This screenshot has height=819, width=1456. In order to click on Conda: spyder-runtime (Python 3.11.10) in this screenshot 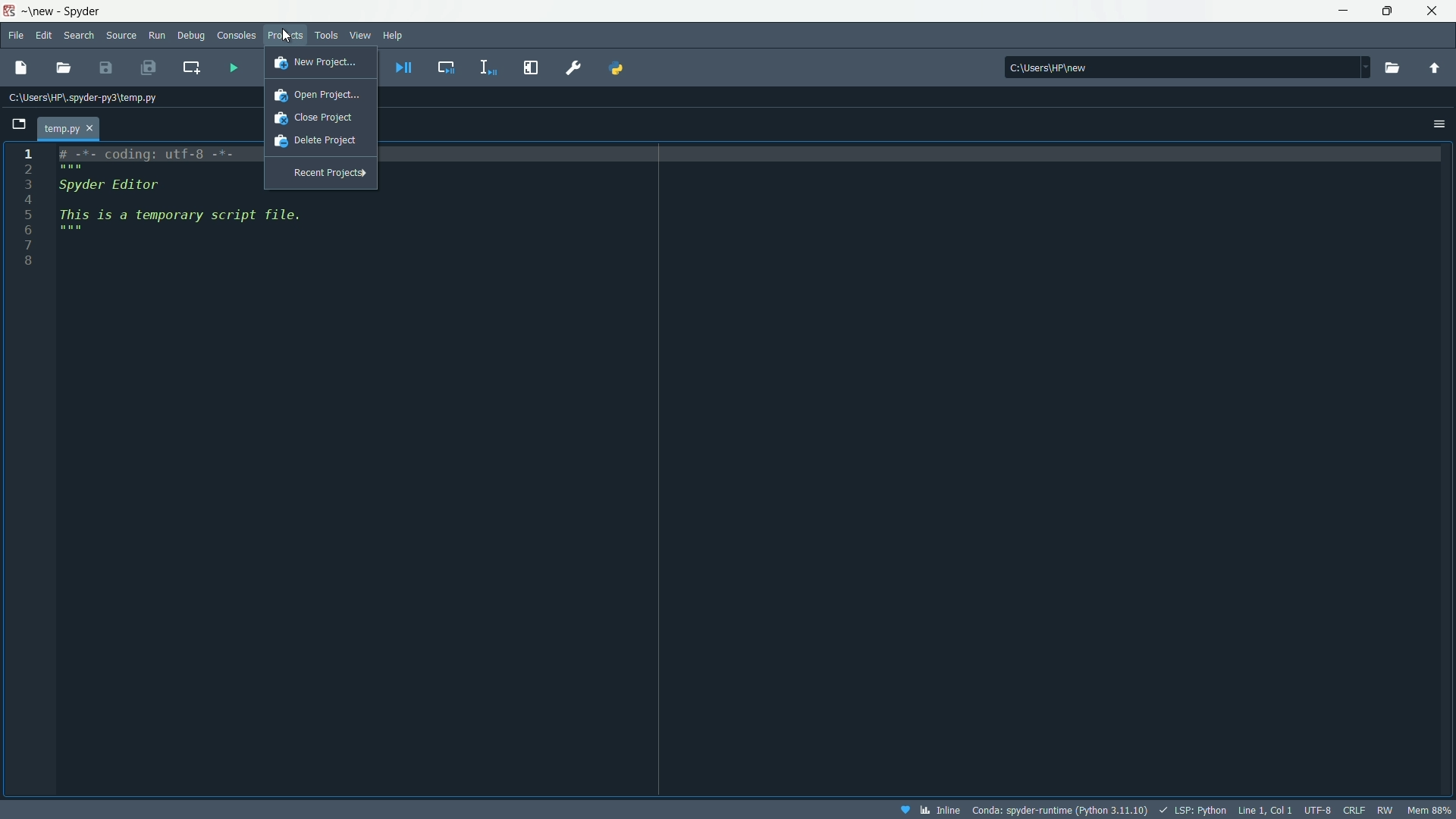, I will do `click(1056, 811)`.